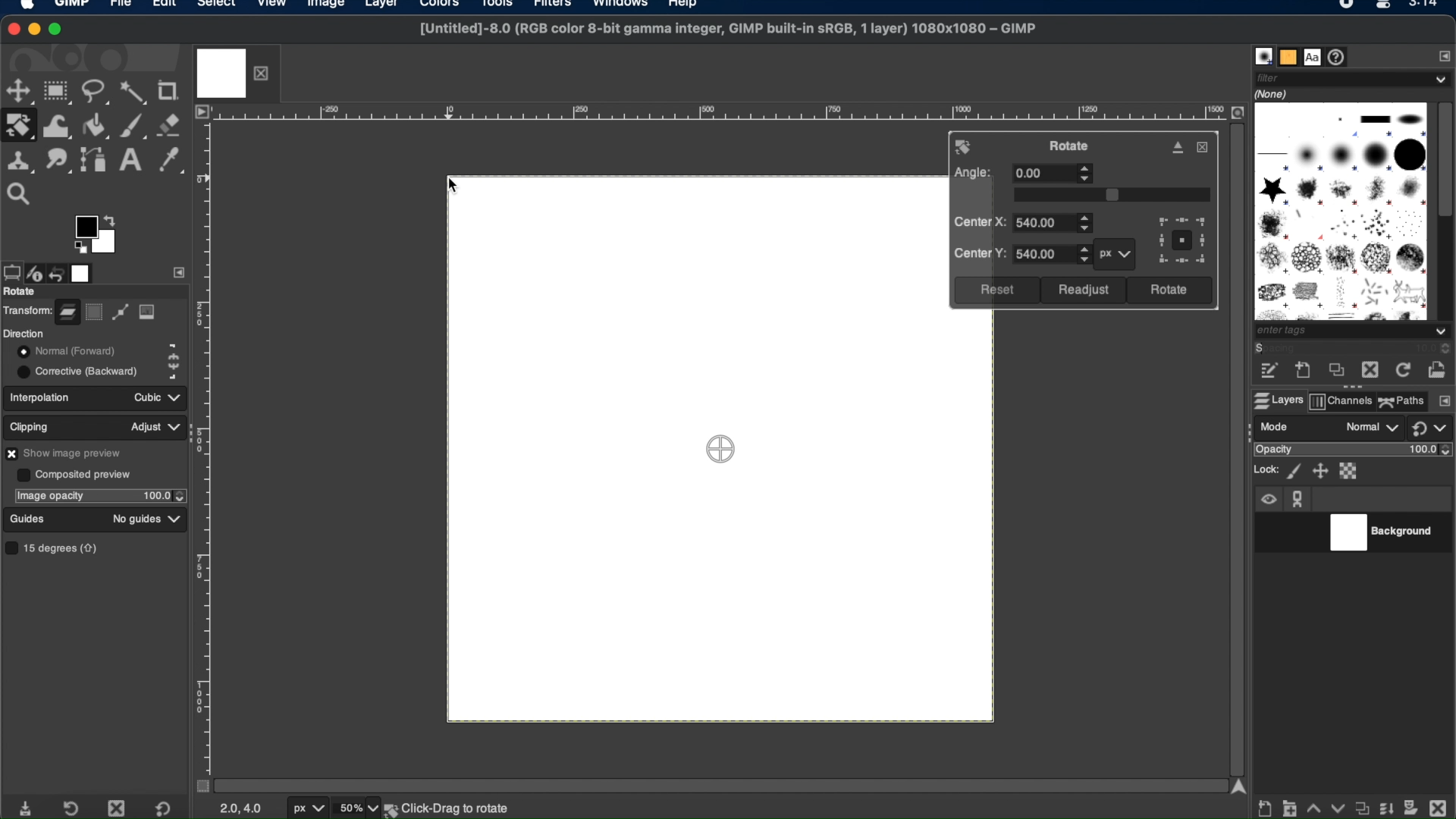 The image size is (1456, 819). What do you see at coordinates (136, 519) in the screenshot?
I see `no guides` at bounding box center [136, 519].